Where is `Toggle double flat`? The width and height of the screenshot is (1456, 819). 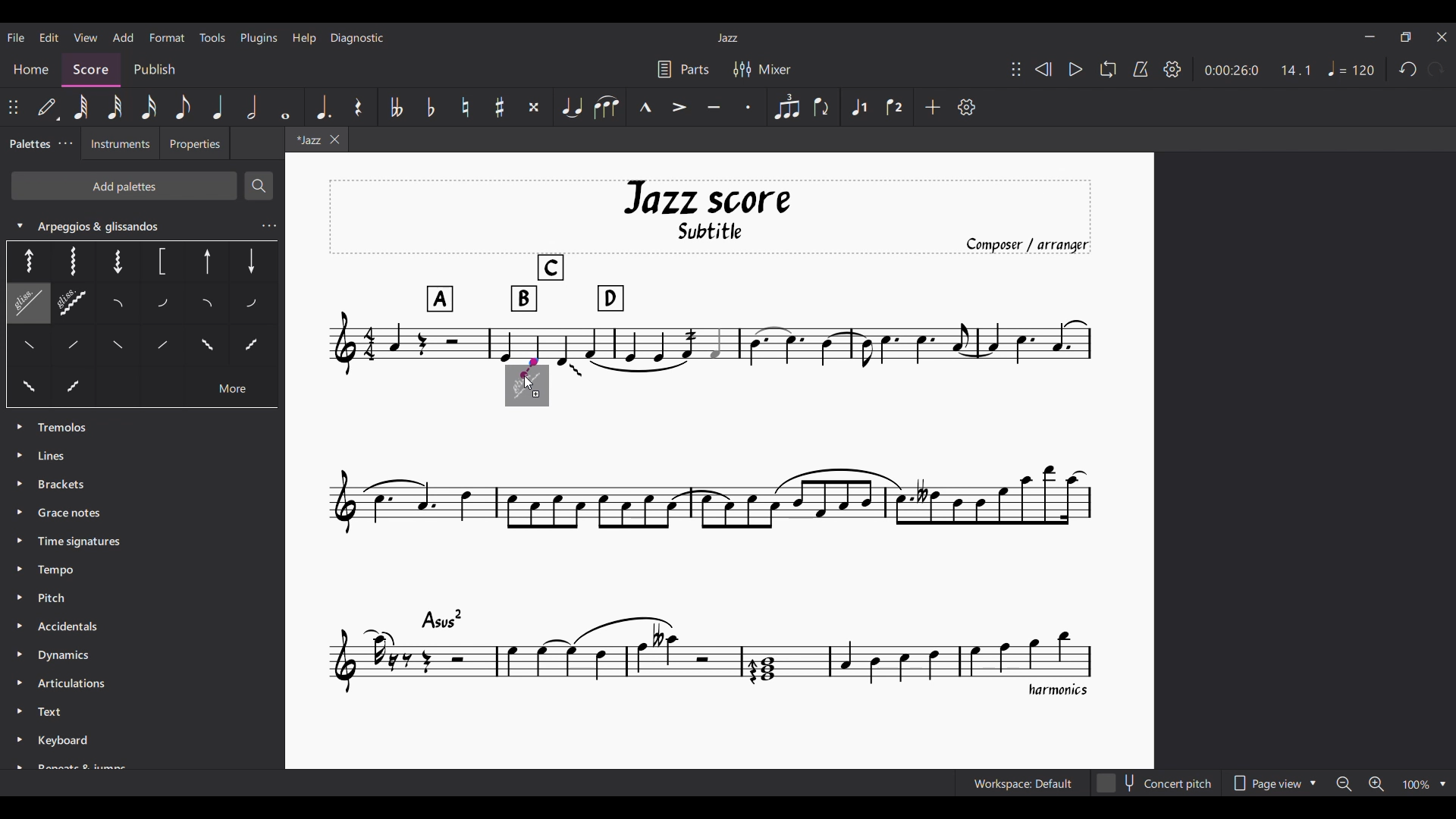
Toggle double flat is located at coordinates (397, 107).